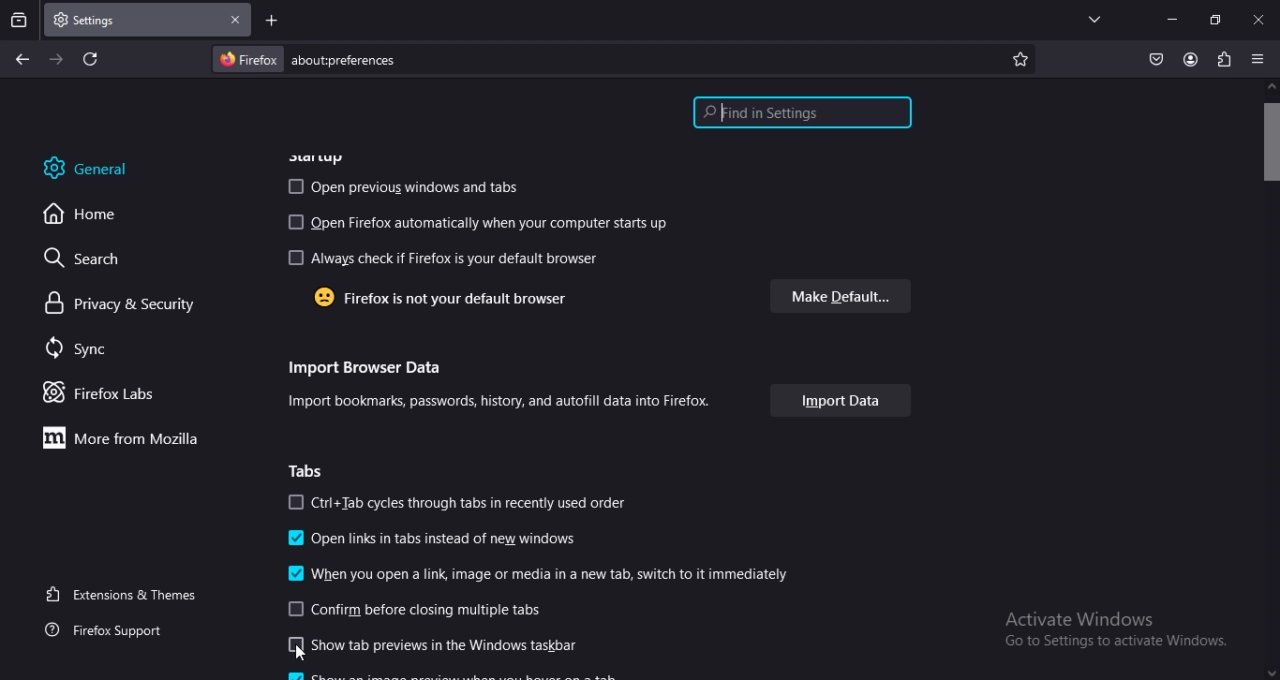 The height and width of the screenshot is (680, 1280). Describe the element at coordinates (318, 153) in the screenshot. I see `startup` at that location.